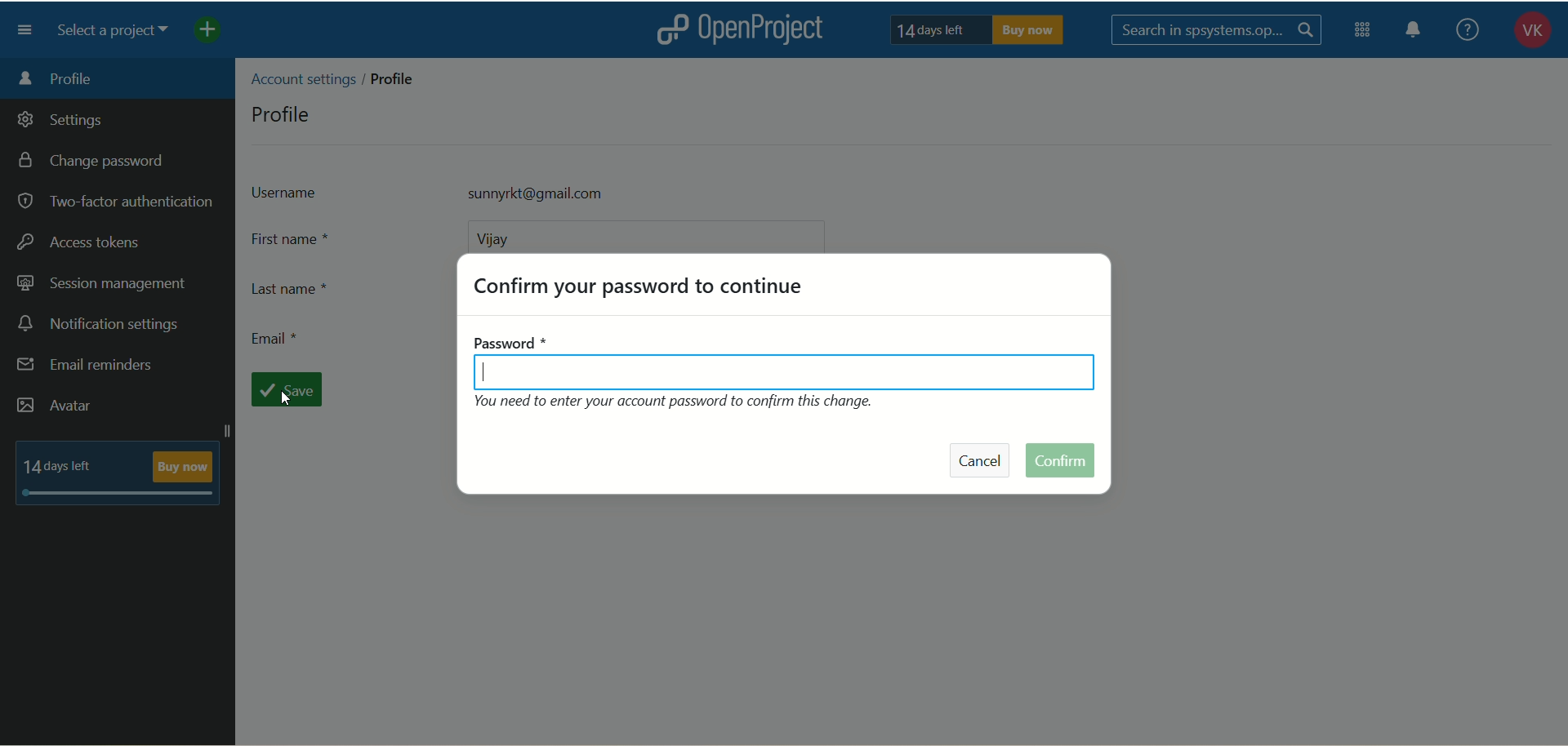  Describe the element at coordinates (82, 240) in the screenshot. I see `access tokens` at that location.